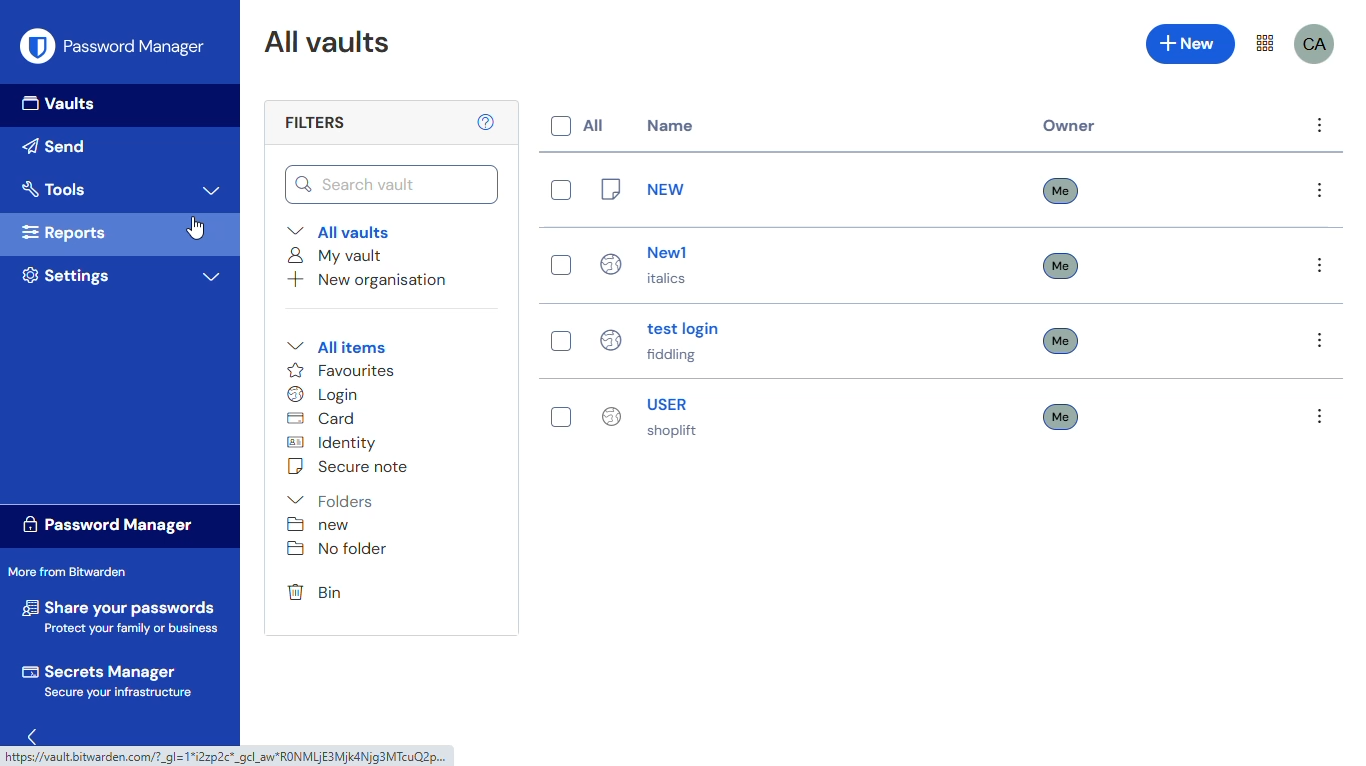 The image size is (1366, 766). I want to click on secrets manager secure your infrastucture, so click(110, 681).